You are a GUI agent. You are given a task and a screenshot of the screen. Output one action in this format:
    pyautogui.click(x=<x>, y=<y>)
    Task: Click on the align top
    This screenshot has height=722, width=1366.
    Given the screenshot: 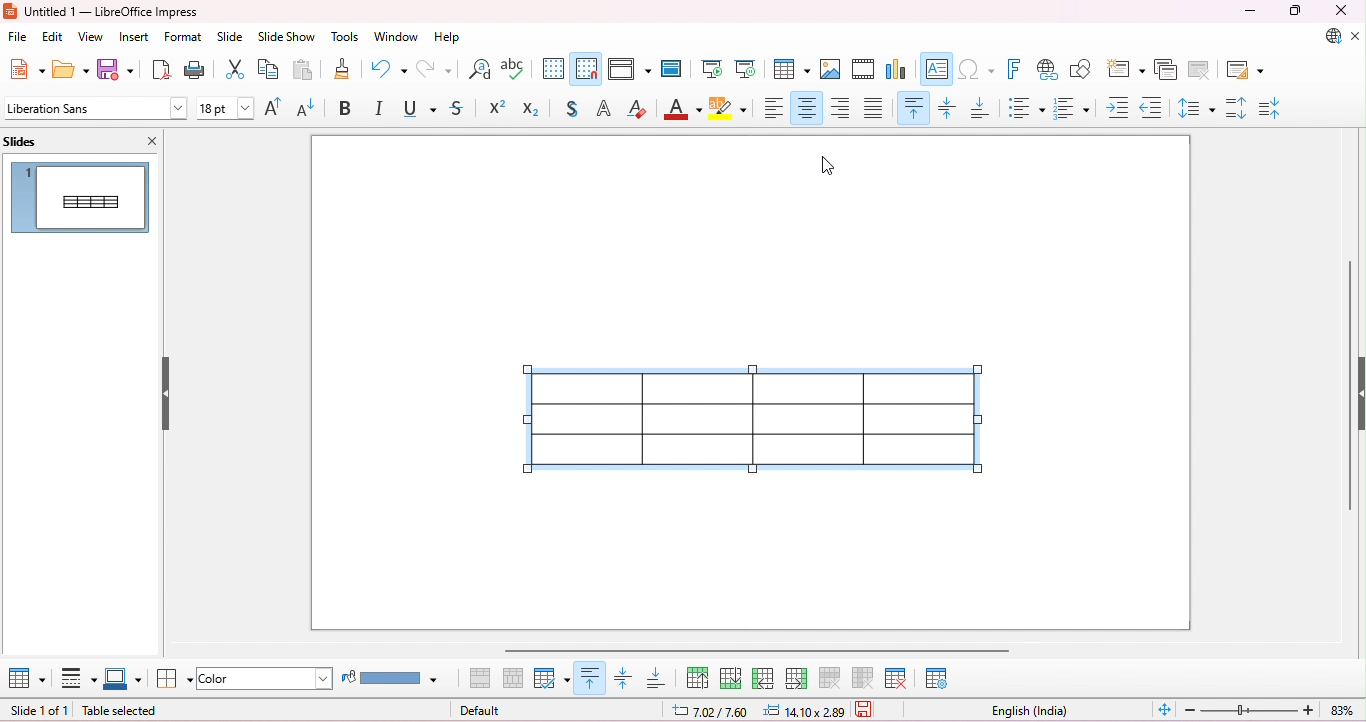 What is the action you would take?
    pyautogui.click(x=913, y=108)
    